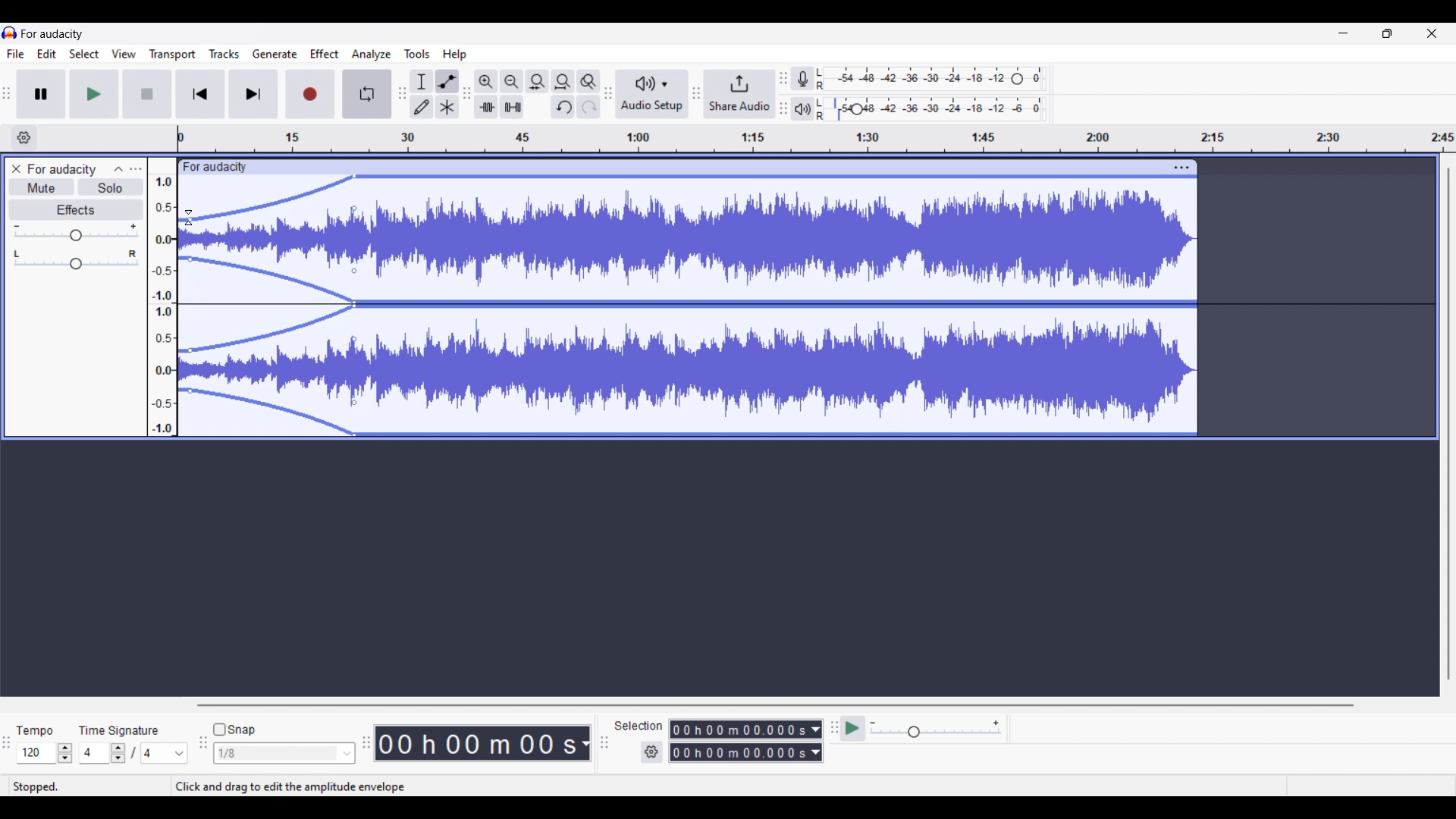 This screenshot has width=1456, height=819. Describe the element at coordinates (1343, 33) in the screenshot. I see `Minimize ` at that location.